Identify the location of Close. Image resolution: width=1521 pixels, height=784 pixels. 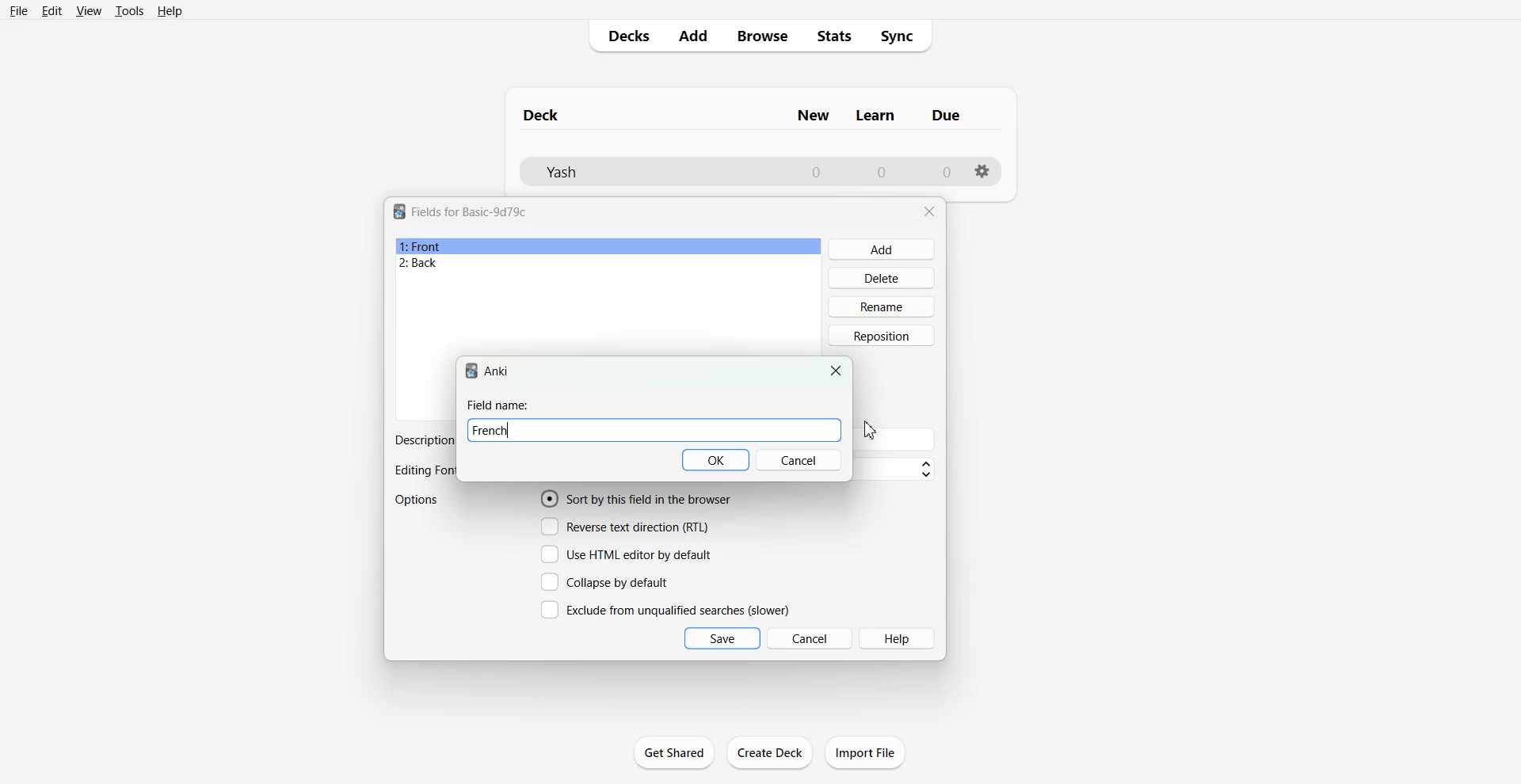
(837, 371).